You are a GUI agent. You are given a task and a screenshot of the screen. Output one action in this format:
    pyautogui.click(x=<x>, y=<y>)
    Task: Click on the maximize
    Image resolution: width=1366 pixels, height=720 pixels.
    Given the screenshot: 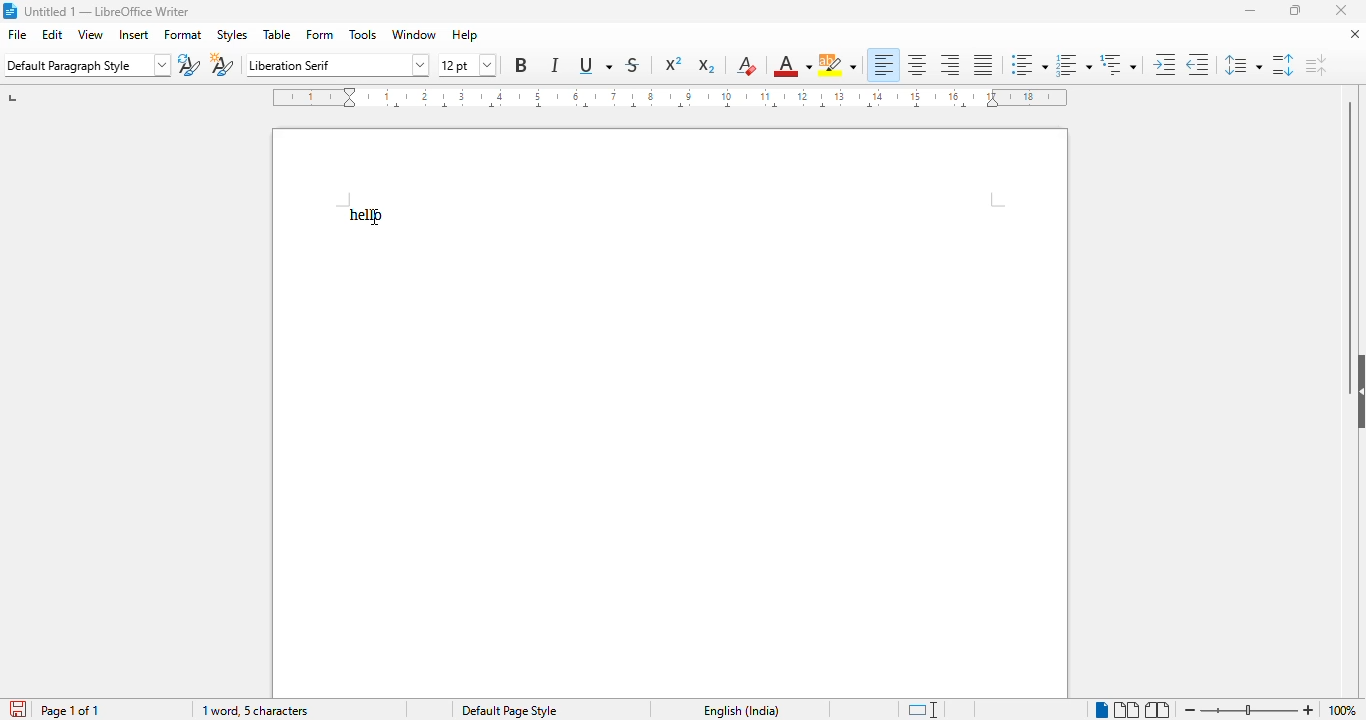 What is the action you would take?
    pyautogui.click(x=1294, y=9)
    